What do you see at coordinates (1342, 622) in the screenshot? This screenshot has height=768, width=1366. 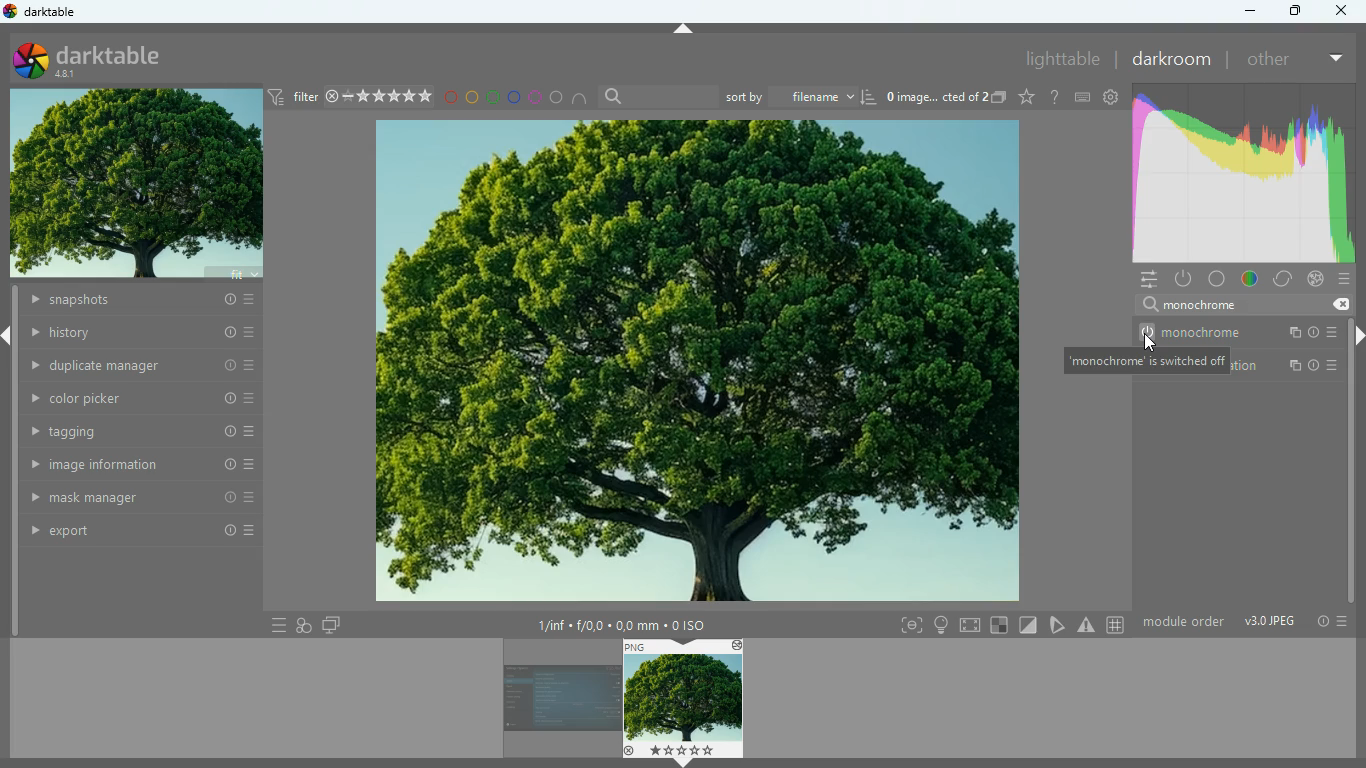 I see `menu` at bounding box center [1342, 622].